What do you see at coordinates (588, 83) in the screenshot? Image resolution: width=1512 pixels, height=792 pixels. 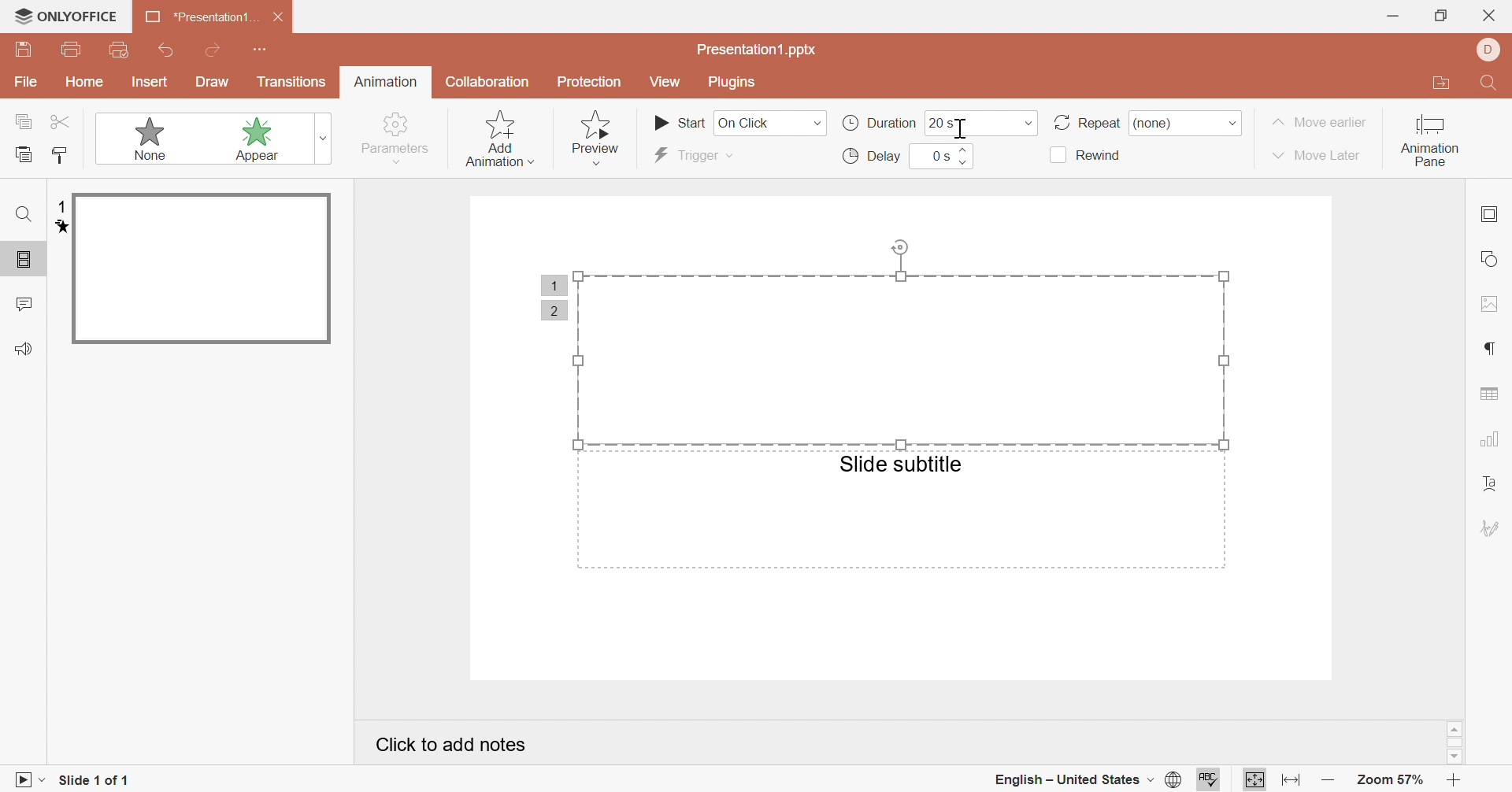 I see `protection` at bounding box center [588, 83].